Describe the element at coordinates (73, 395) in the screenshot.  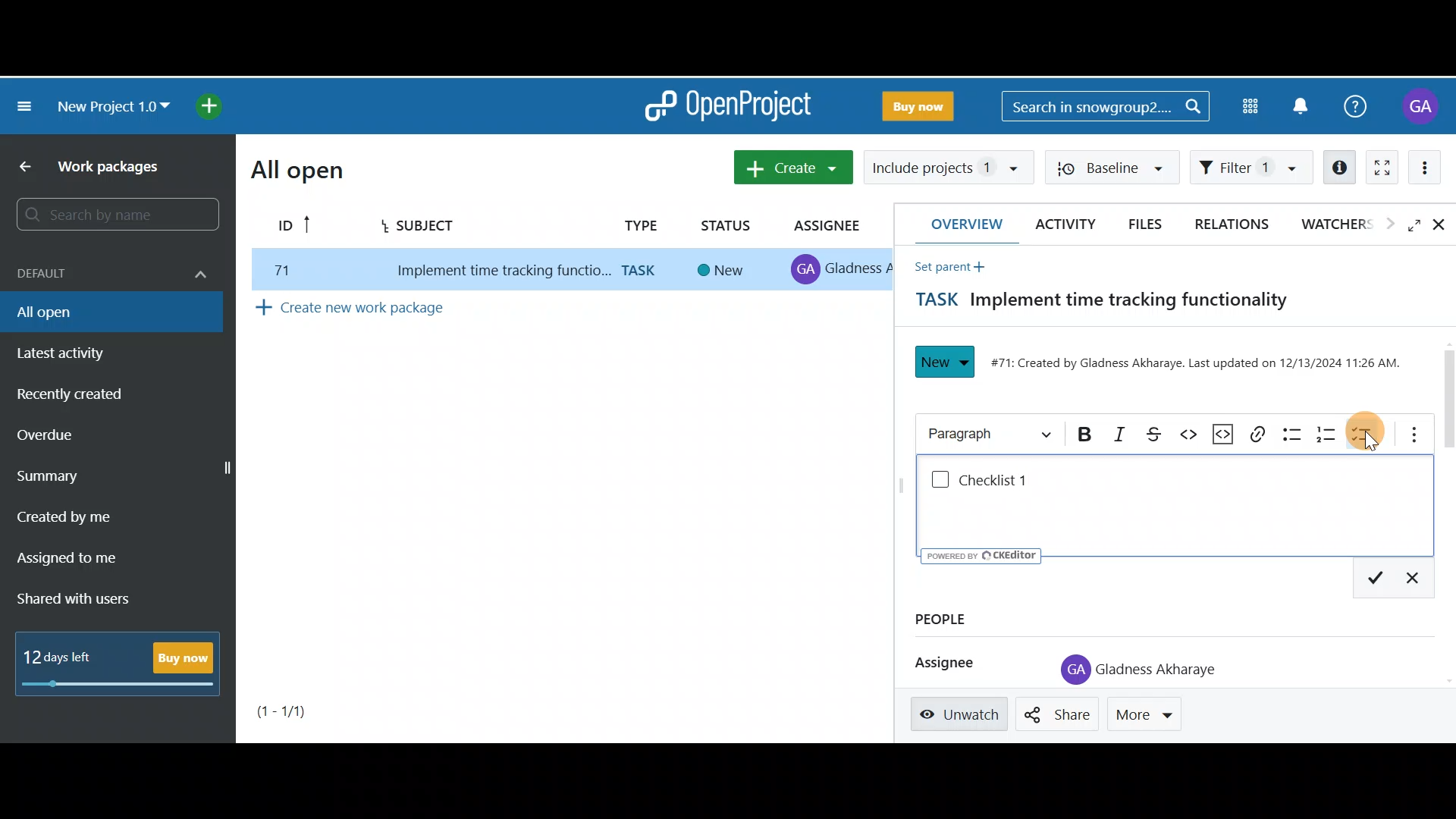
I see `Recently created` at that location.